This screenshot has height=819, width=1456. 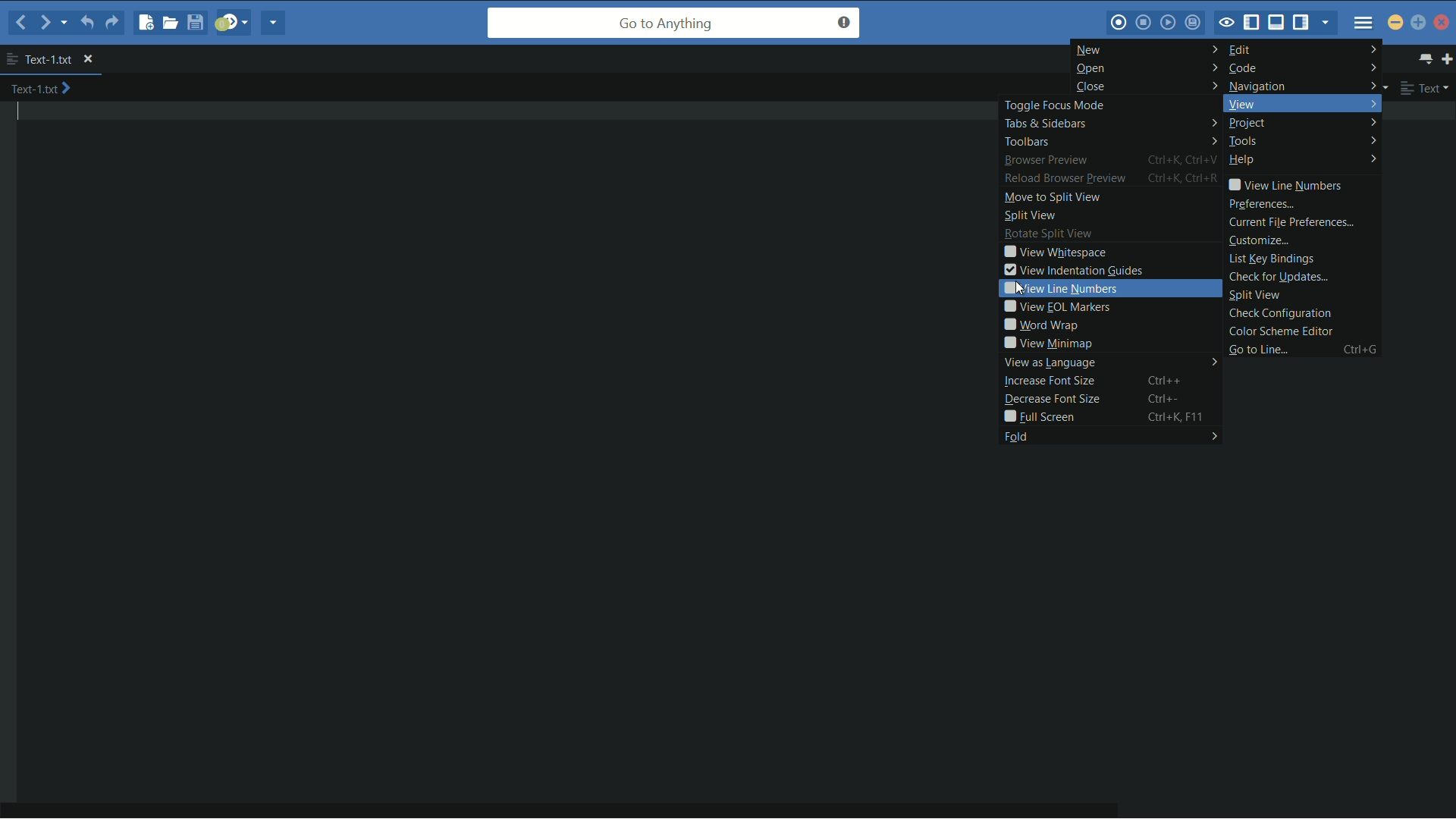 I want to click on show/hide bottom panel, so click(x=1276, y=24).